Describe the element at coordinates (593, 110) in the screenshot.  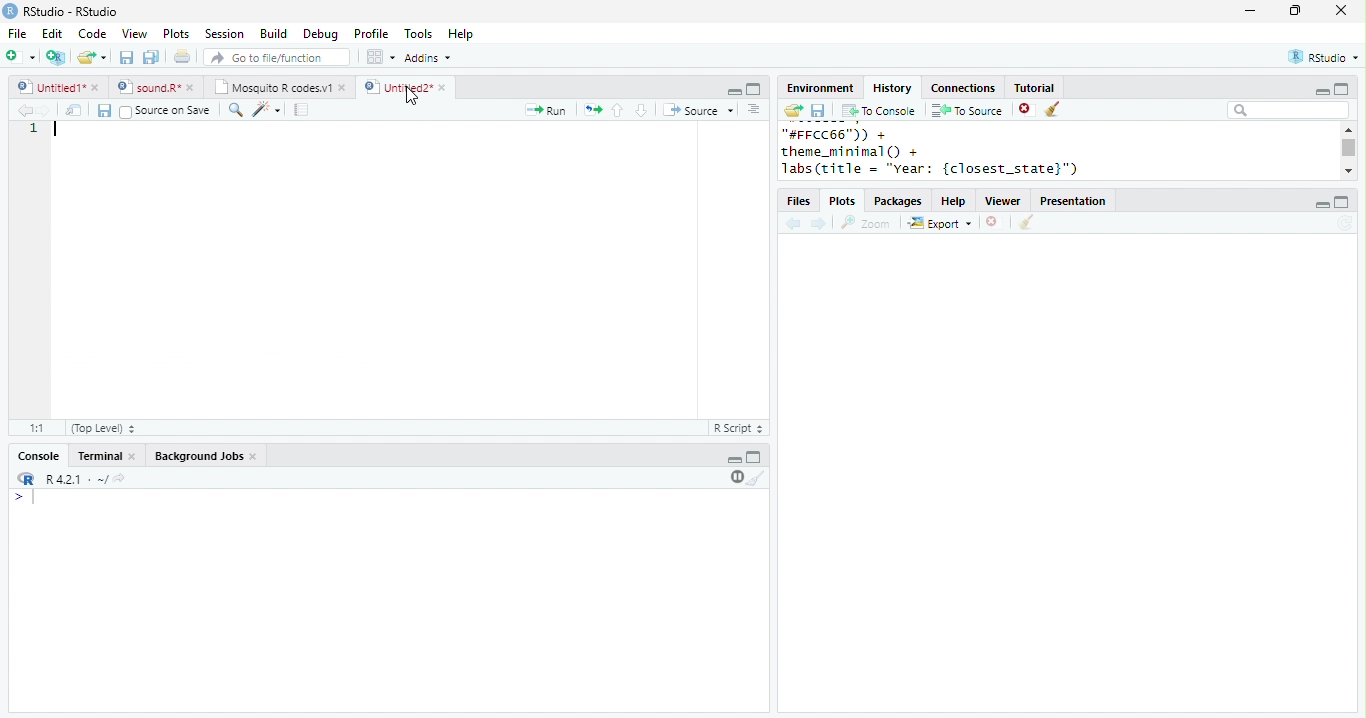
I see `rerun` at that location.